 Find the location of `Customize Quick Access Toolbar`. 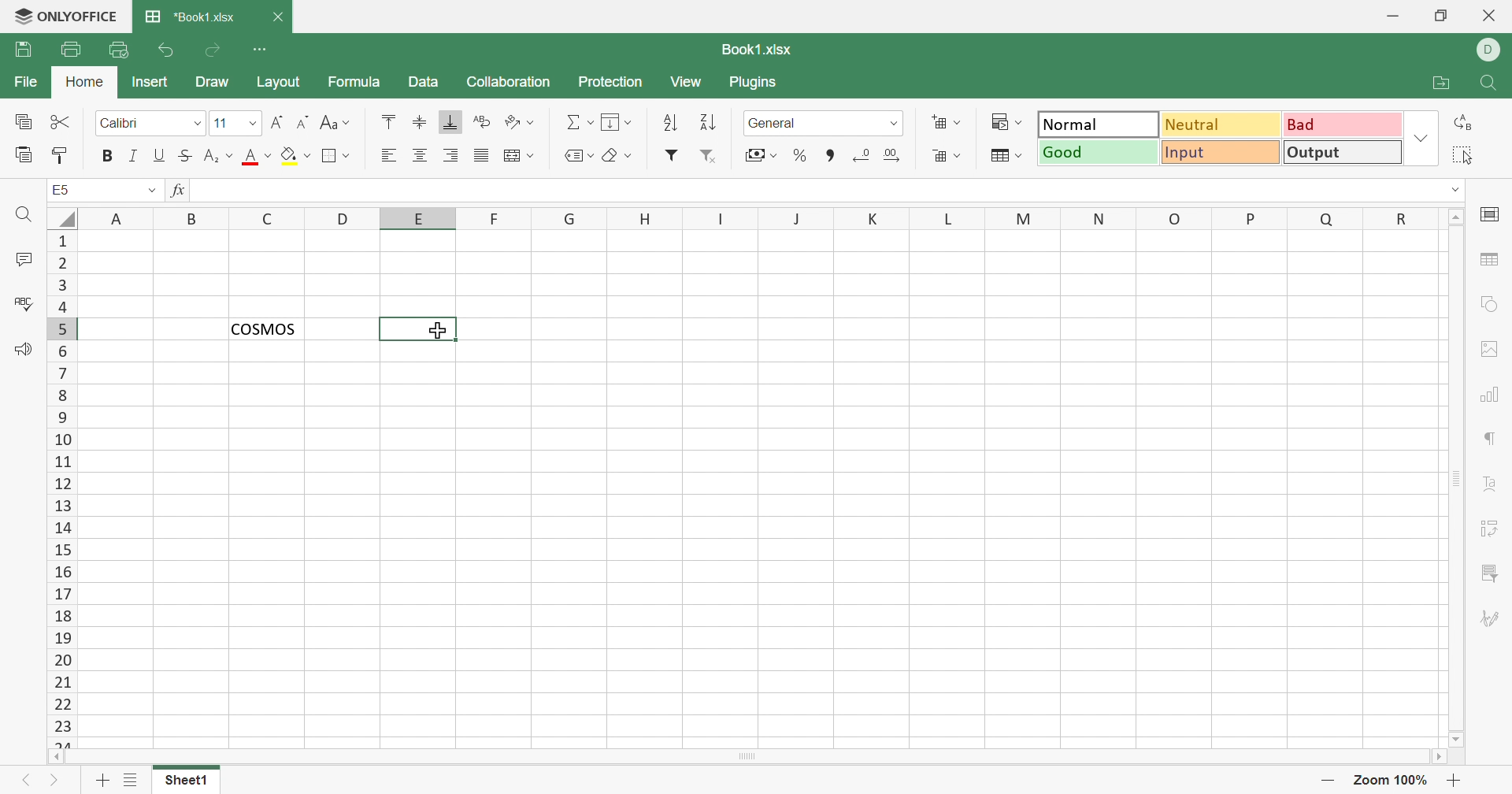

Customize Quick Access Toolbar is located at coordinates (260, 50).